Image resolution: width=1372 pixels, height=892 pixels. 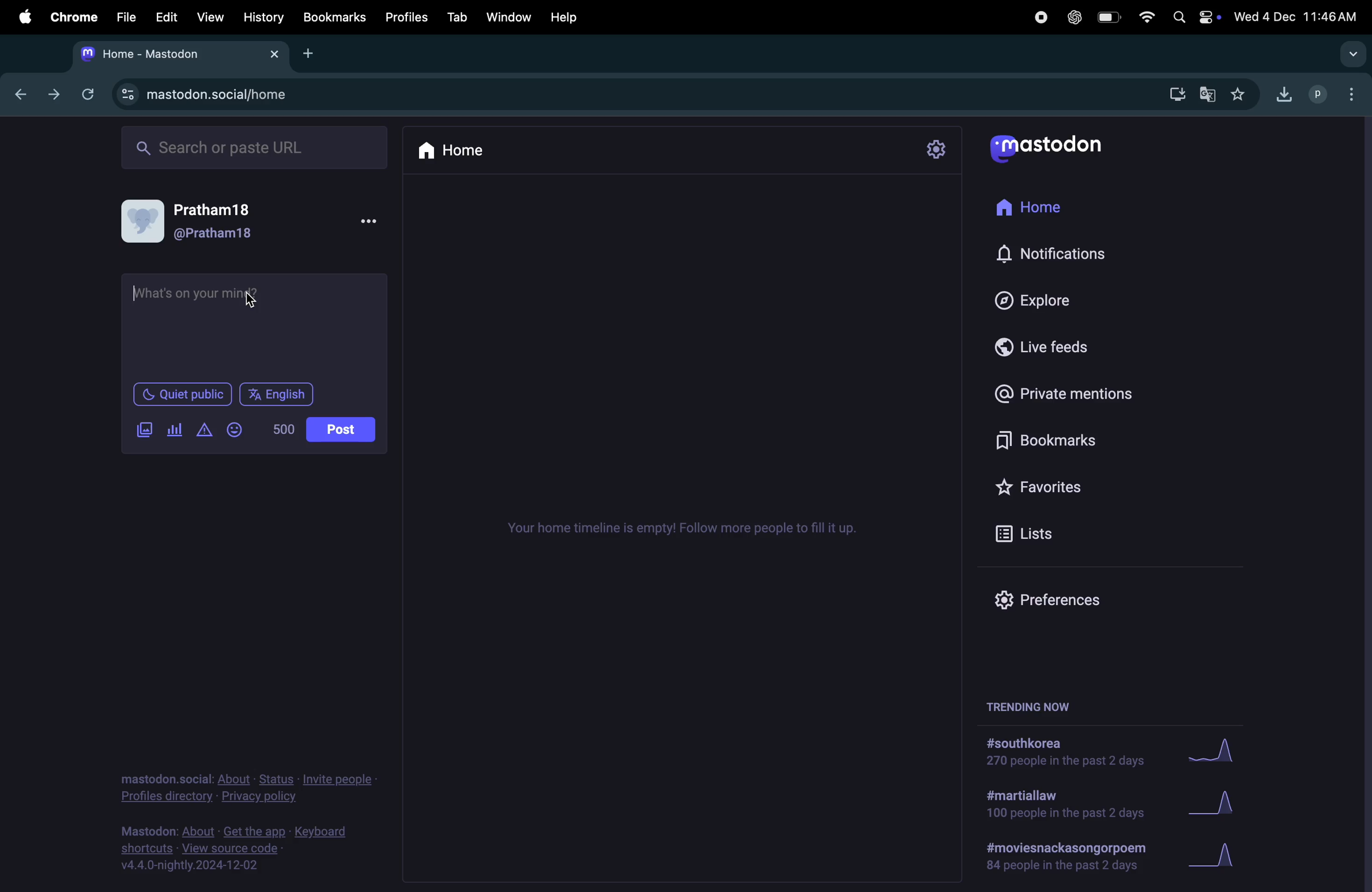 What do you see at coordinates (312, 54) in the screenshot?
I see `add` at bounding box center [312, 54].